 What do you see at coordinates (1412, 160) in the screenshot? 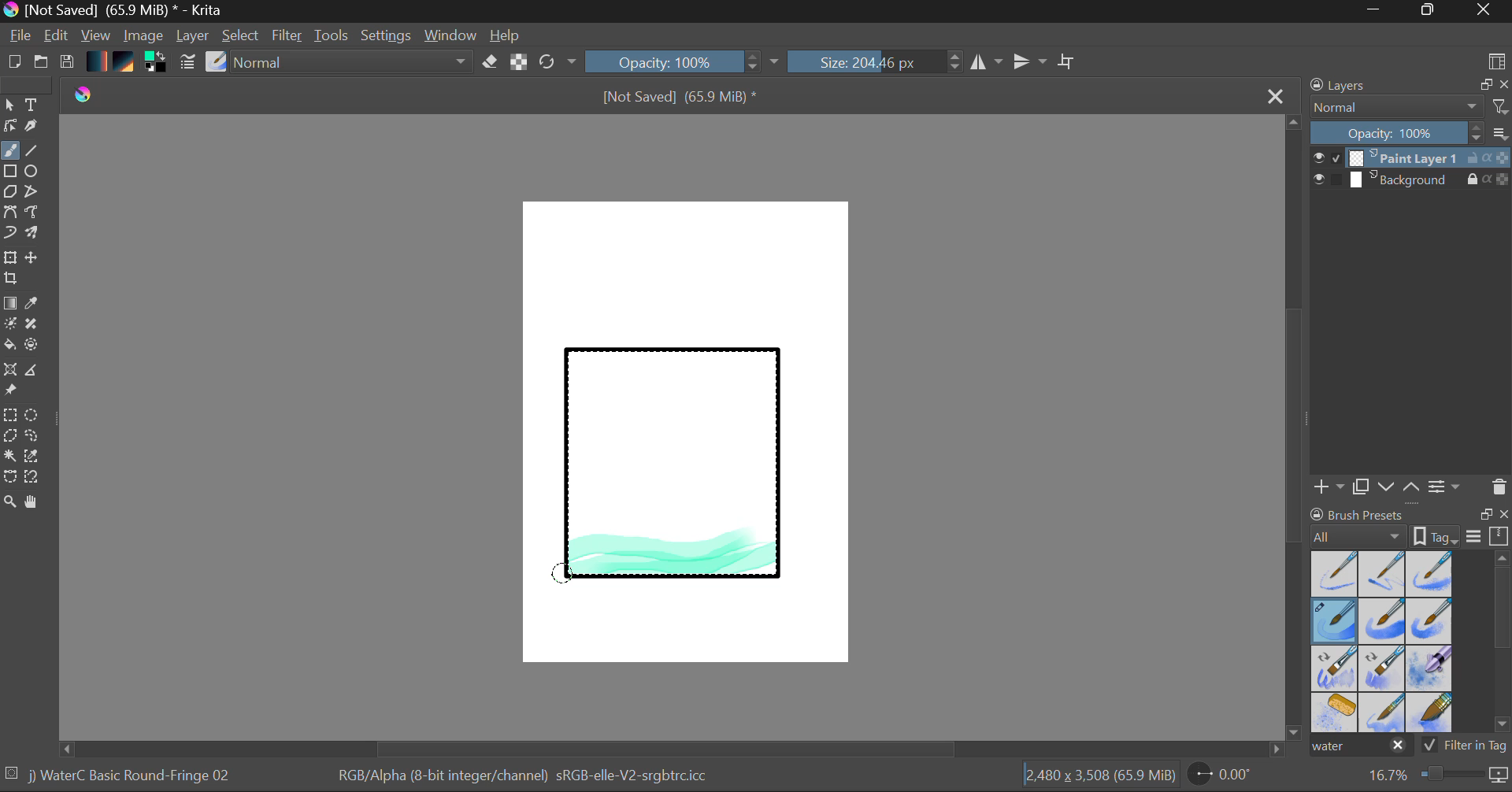
I see `Layer 1` at bounding box center [1412, 160].